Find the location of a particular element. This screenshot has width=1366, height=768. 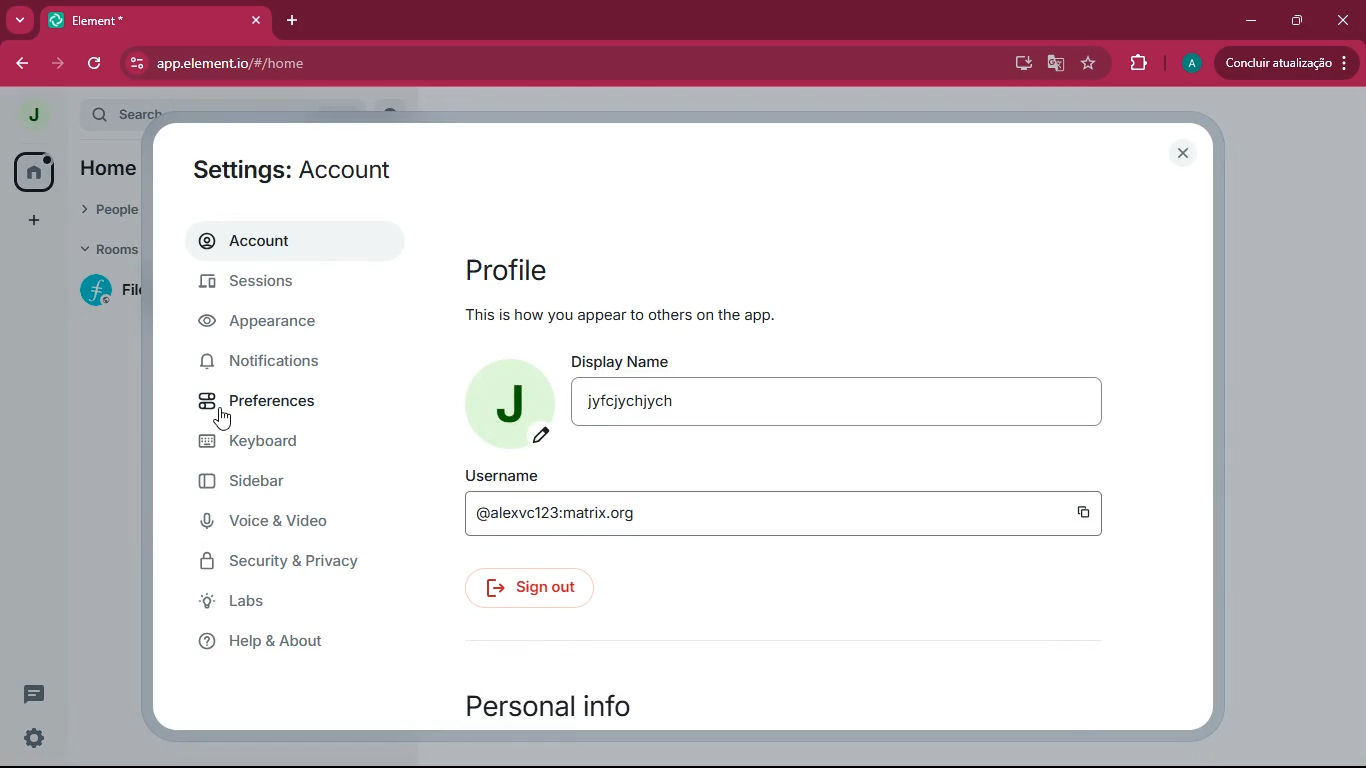

add is located at coordinates (30, 220).